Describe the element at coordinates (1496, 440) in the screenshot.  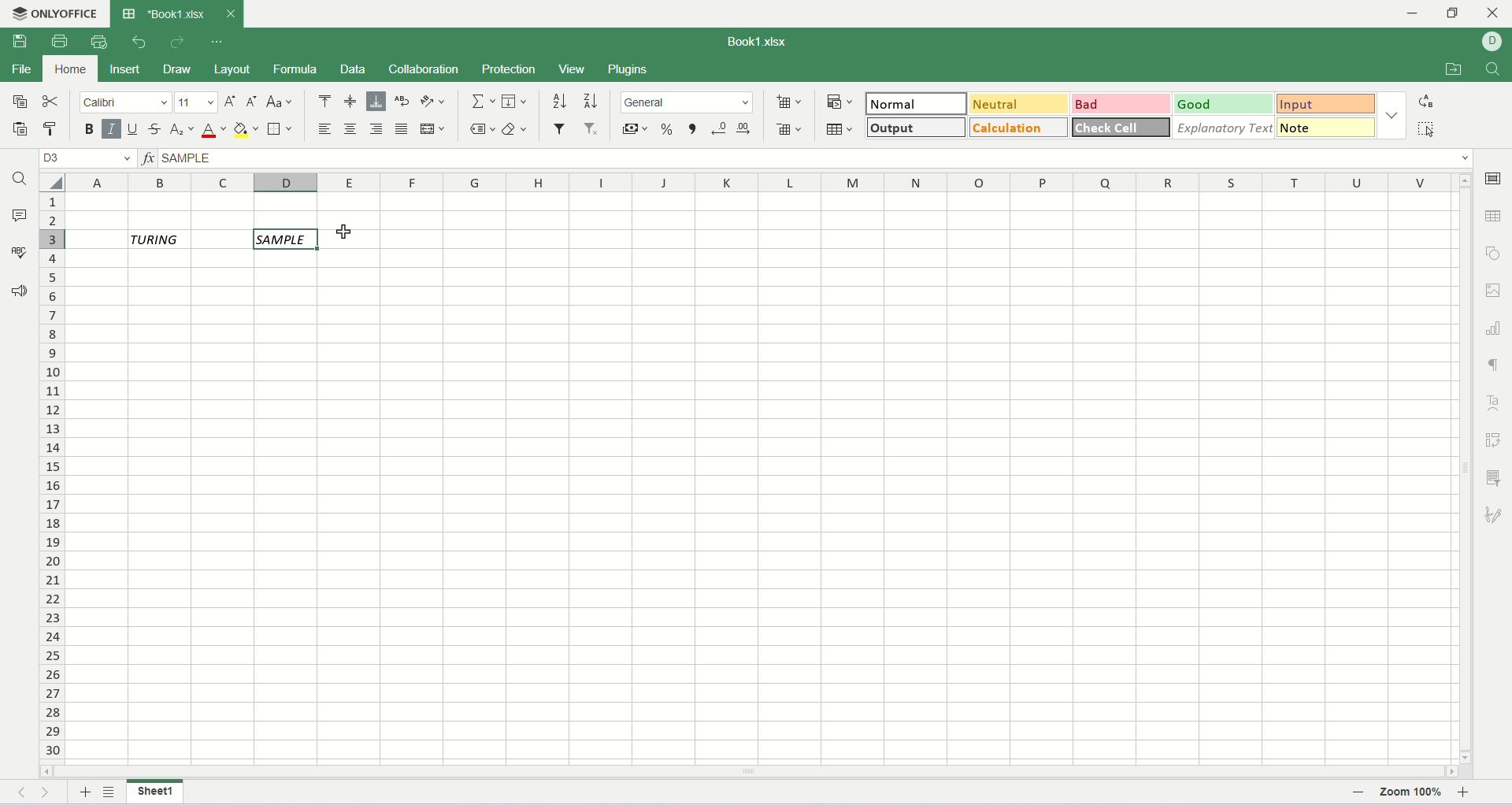
I see `pivot settings` at that location.